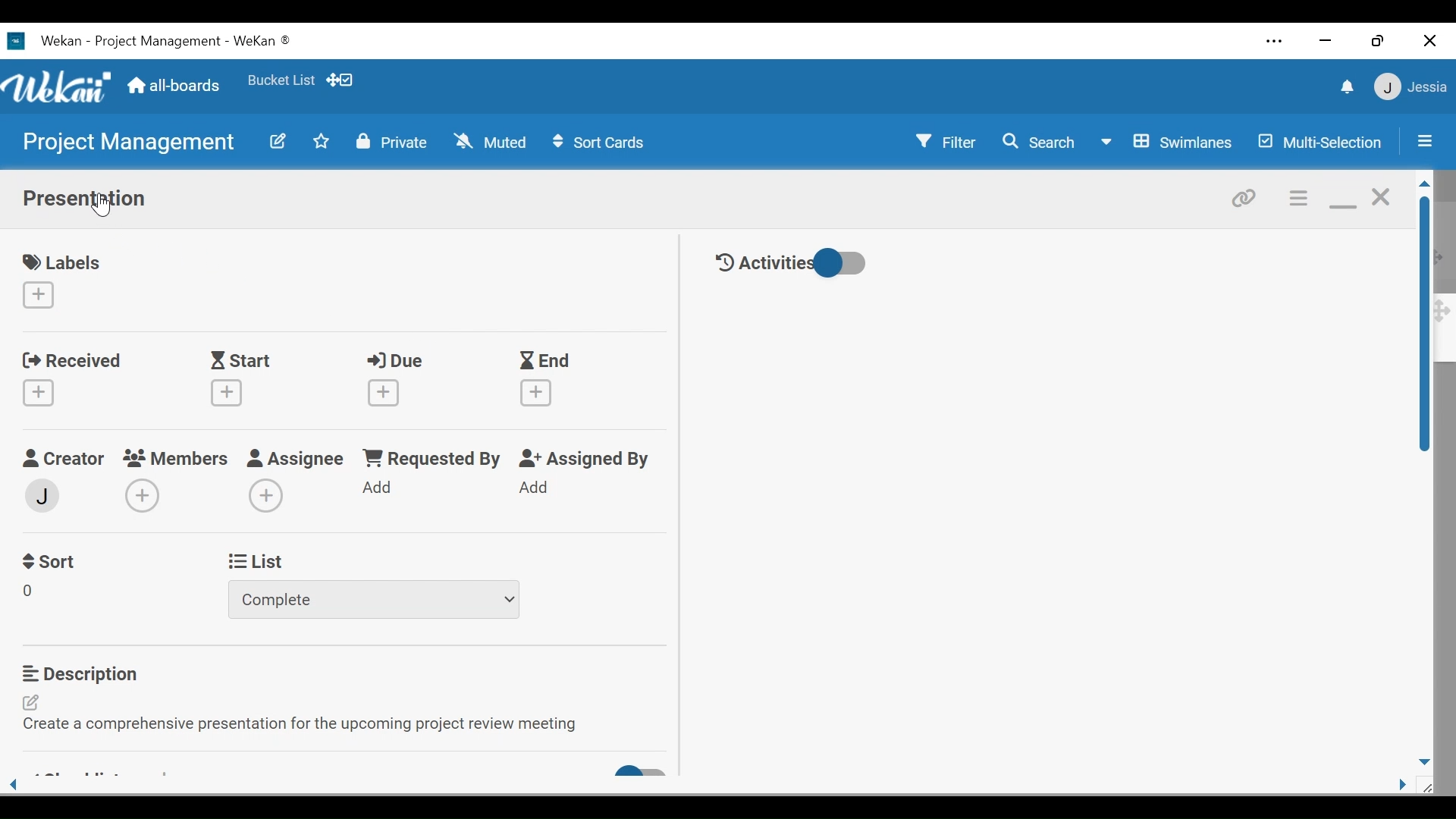 This screenshot has height=819, width=1456. I want to click on Board Title, so click(157, 41).